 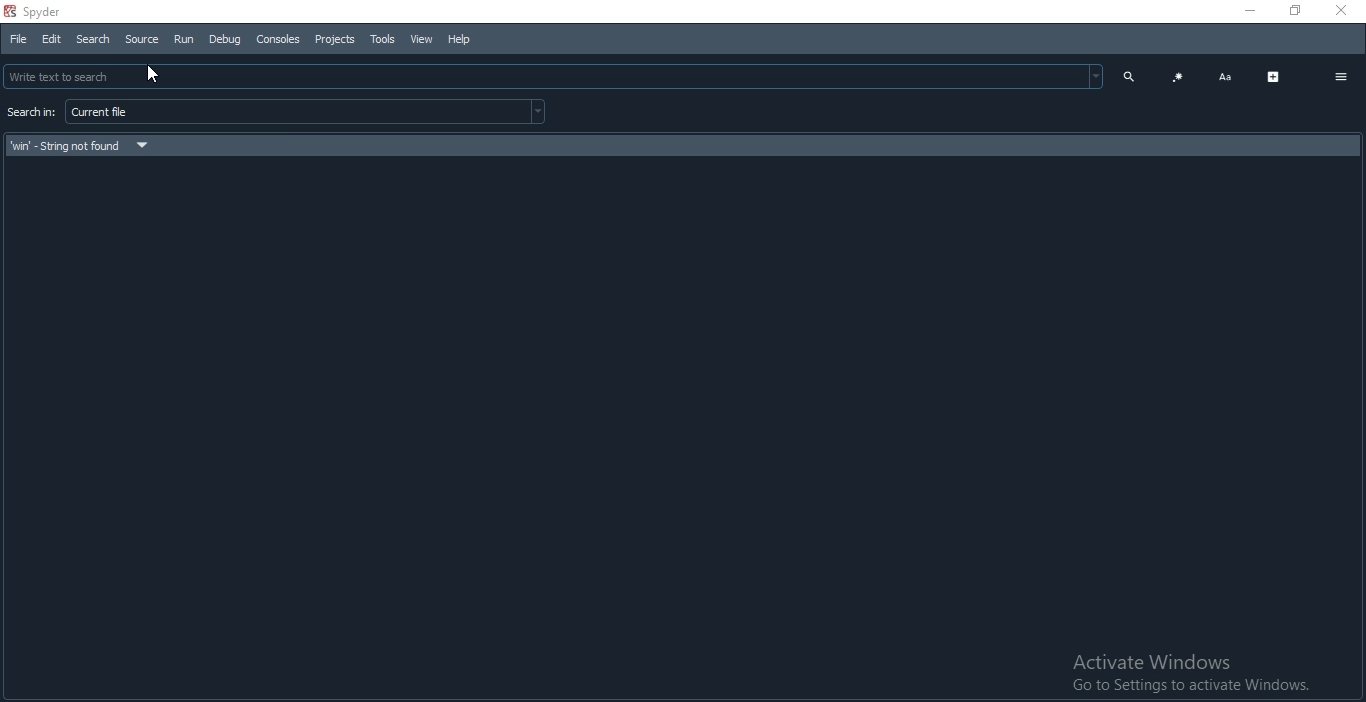 I want to click on spyder, so click(x=41, y=10).